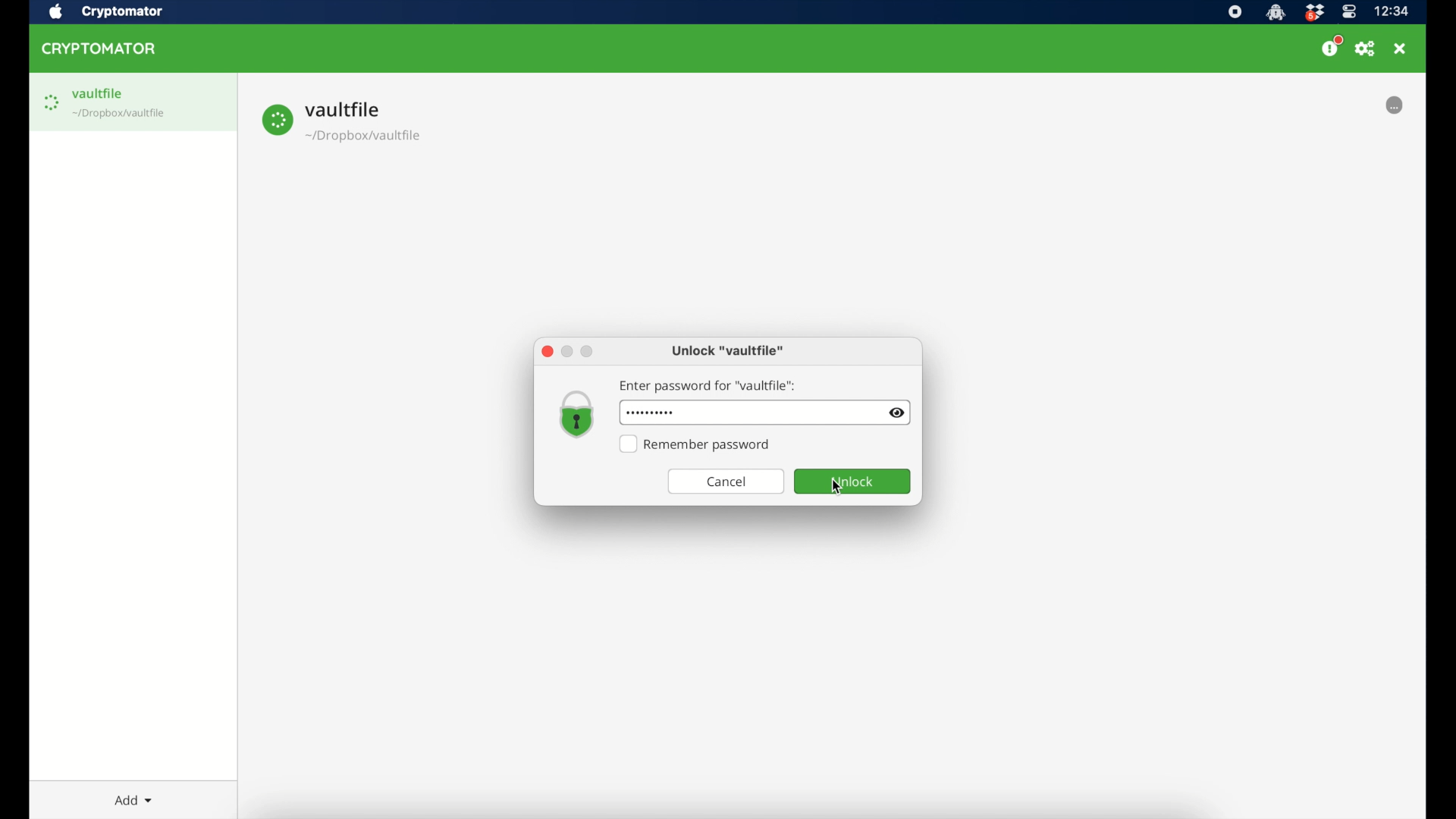 The image size is (1456, 819). I want to click on maximize, so click(588, 351).